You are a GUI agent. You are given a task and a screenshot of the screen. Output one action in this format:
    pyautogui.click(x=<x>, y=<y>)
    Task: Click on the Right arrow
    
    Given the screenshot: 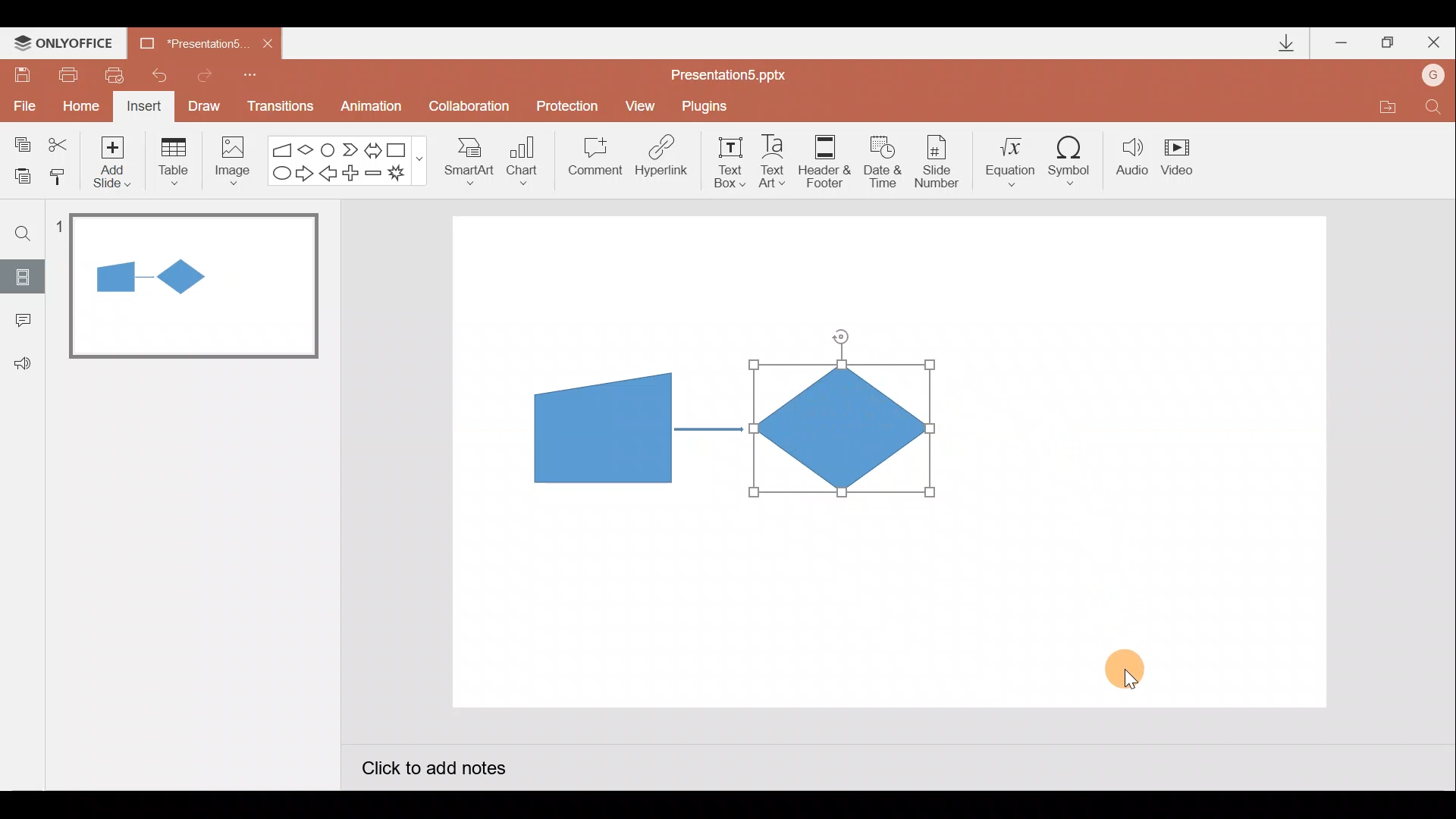 What is the action you would take?
    pyautogui.click(x=306, y=172)
    